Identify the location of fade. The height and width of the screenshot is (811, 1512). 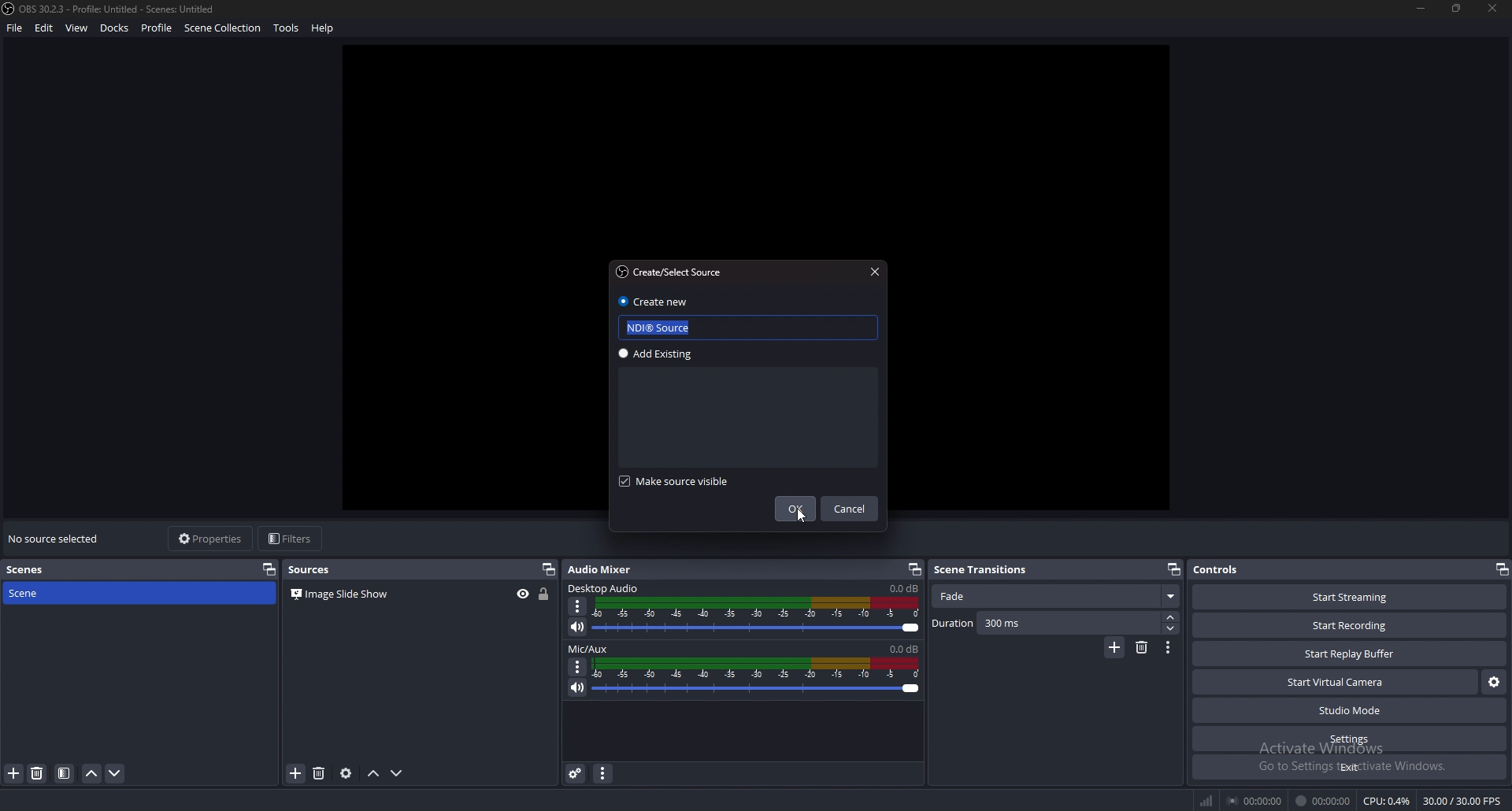
(1055, 597).